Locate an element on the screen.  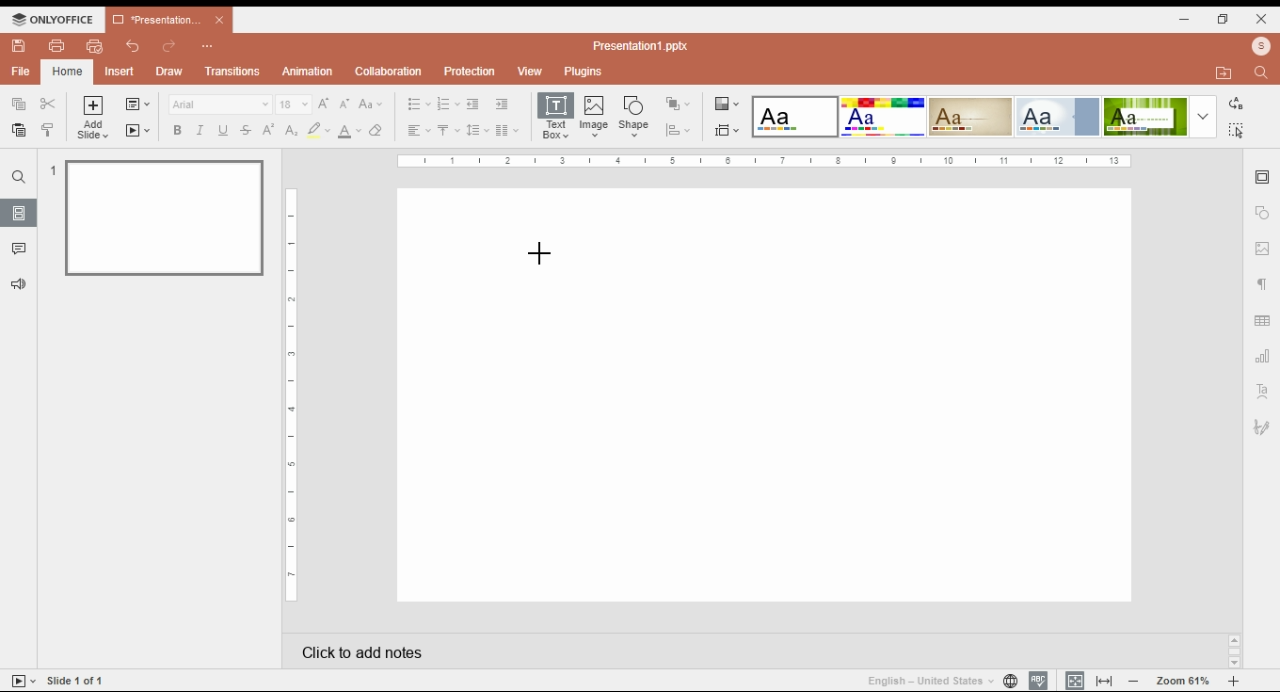
find is located at coordinates (1238, 130).